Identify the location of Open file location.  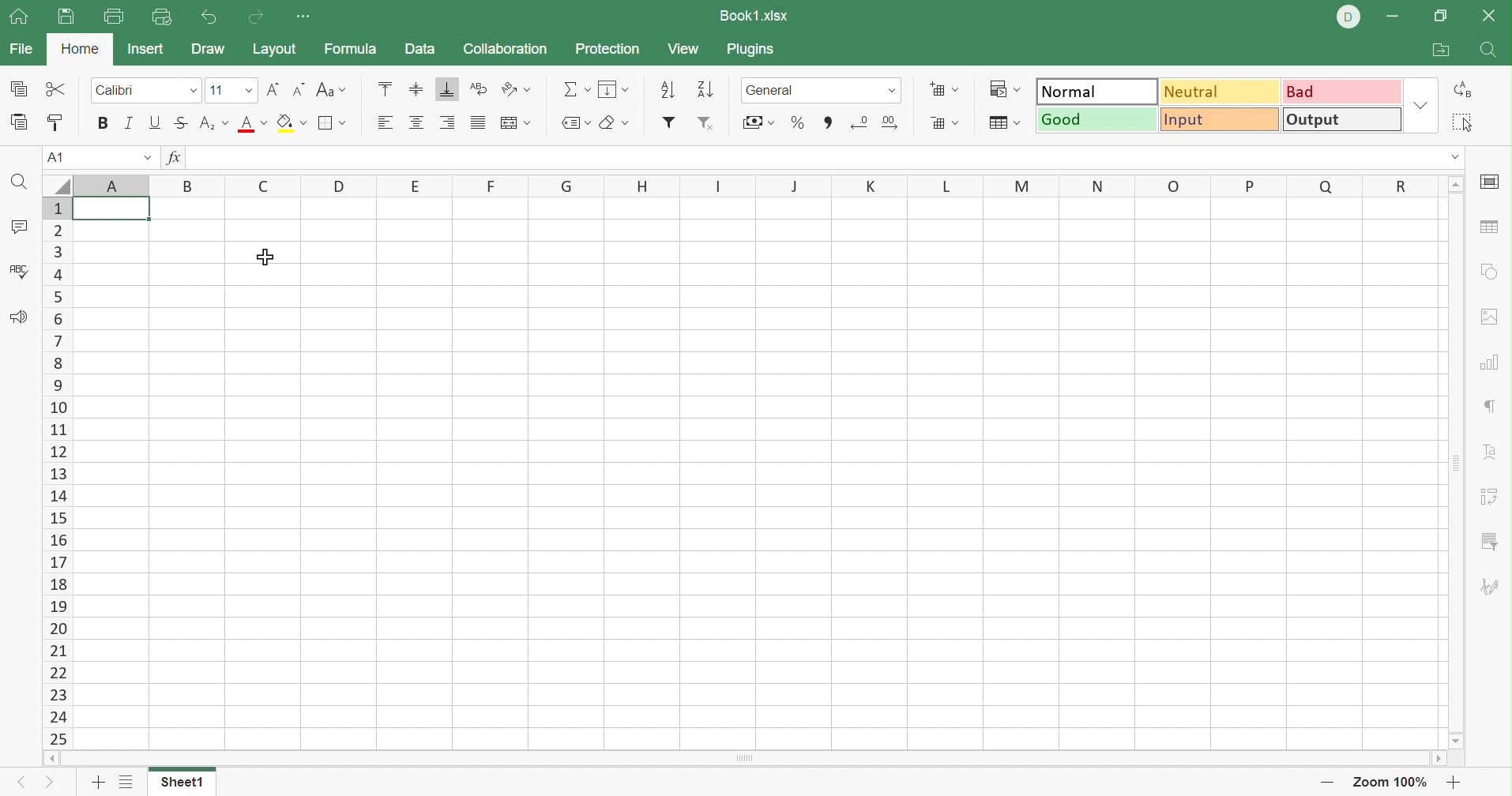
(1442, 50).